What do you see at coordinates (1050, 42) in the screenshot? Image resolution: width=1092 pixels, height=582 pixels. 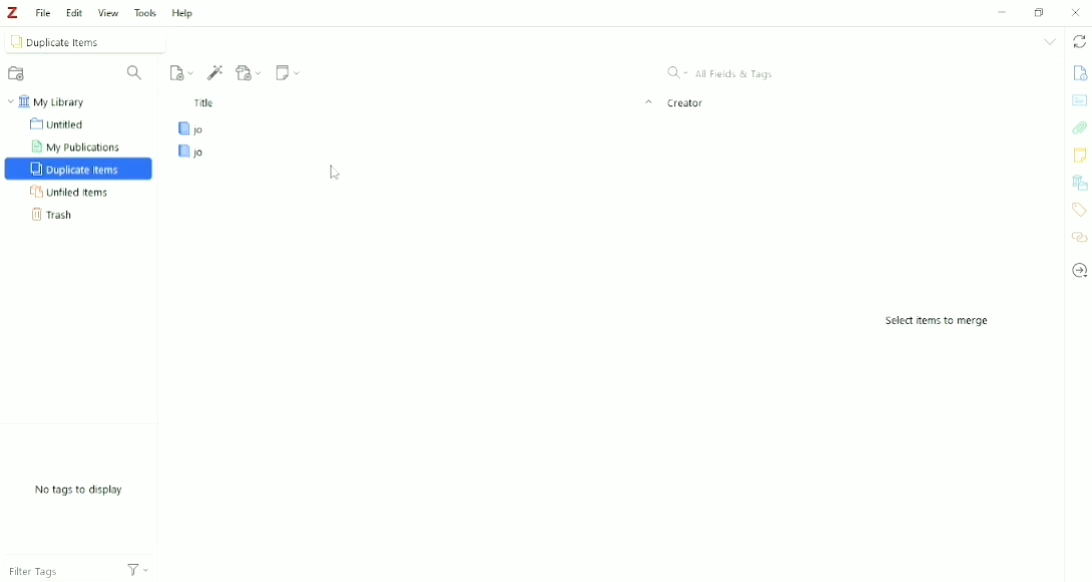 I see `List all tabs` at bounding box center [1050, 42].